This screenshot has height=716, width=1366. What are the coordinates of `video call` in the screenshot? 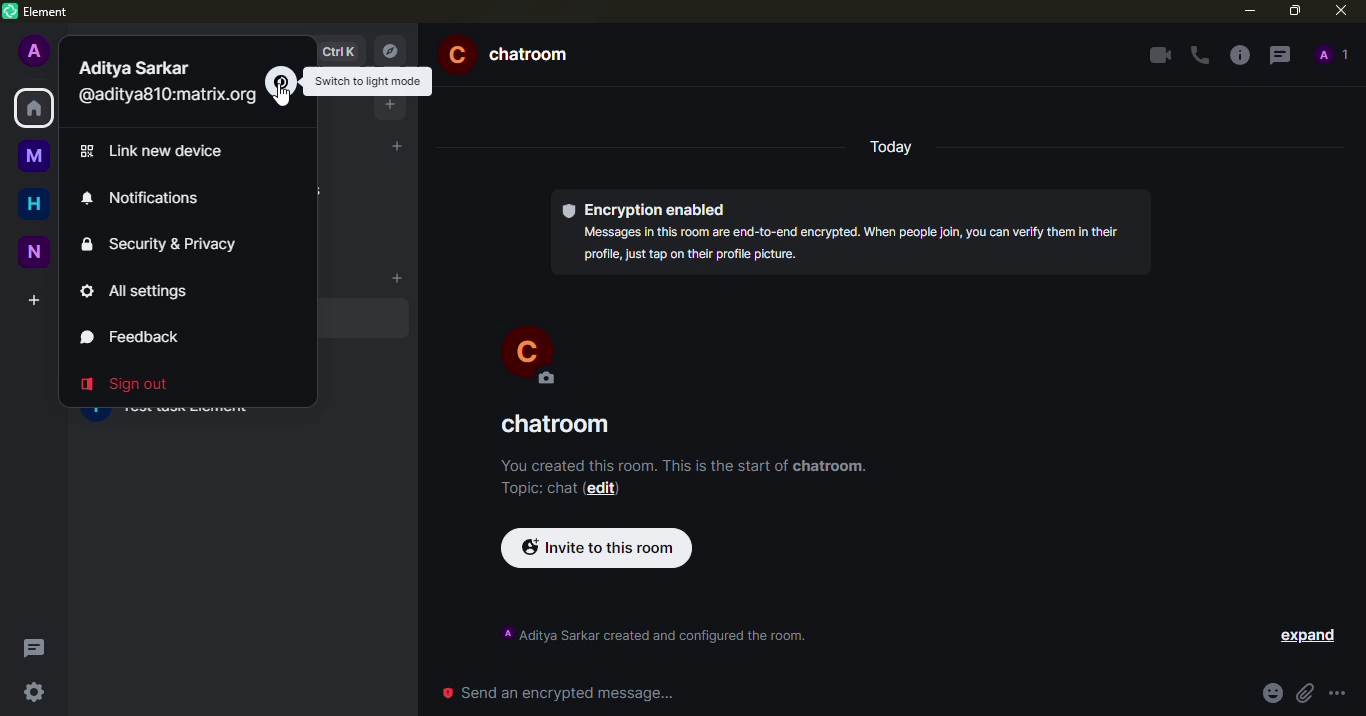 It's located at (1158, 54).